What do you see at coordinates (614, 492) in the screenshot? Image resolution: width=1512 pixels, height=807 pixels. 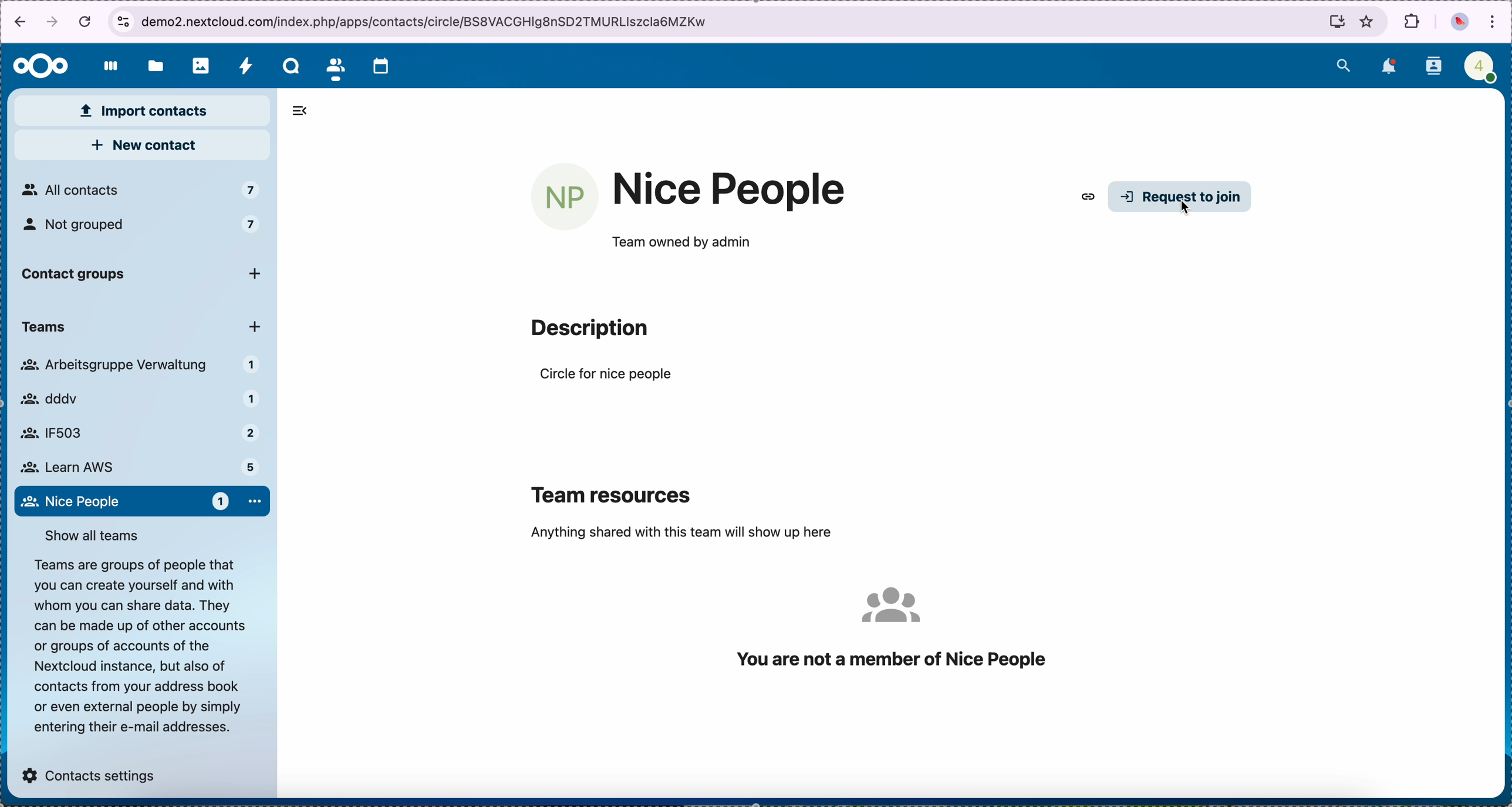 I see `team resources` at bounding box center [614, 492].